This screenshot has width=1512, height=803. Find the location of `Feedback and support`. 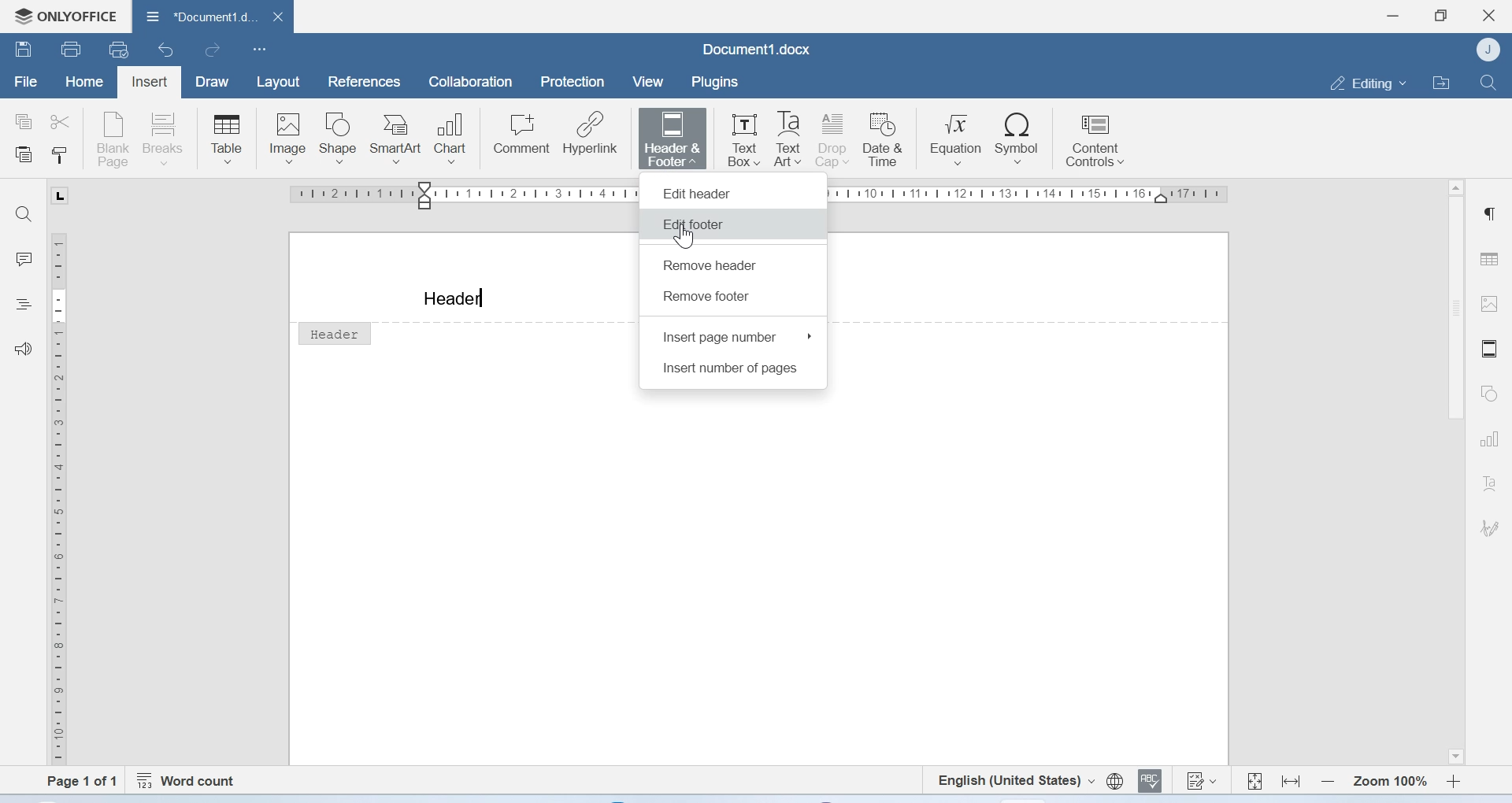

Feedback and support is located at coordinates (24, 348).